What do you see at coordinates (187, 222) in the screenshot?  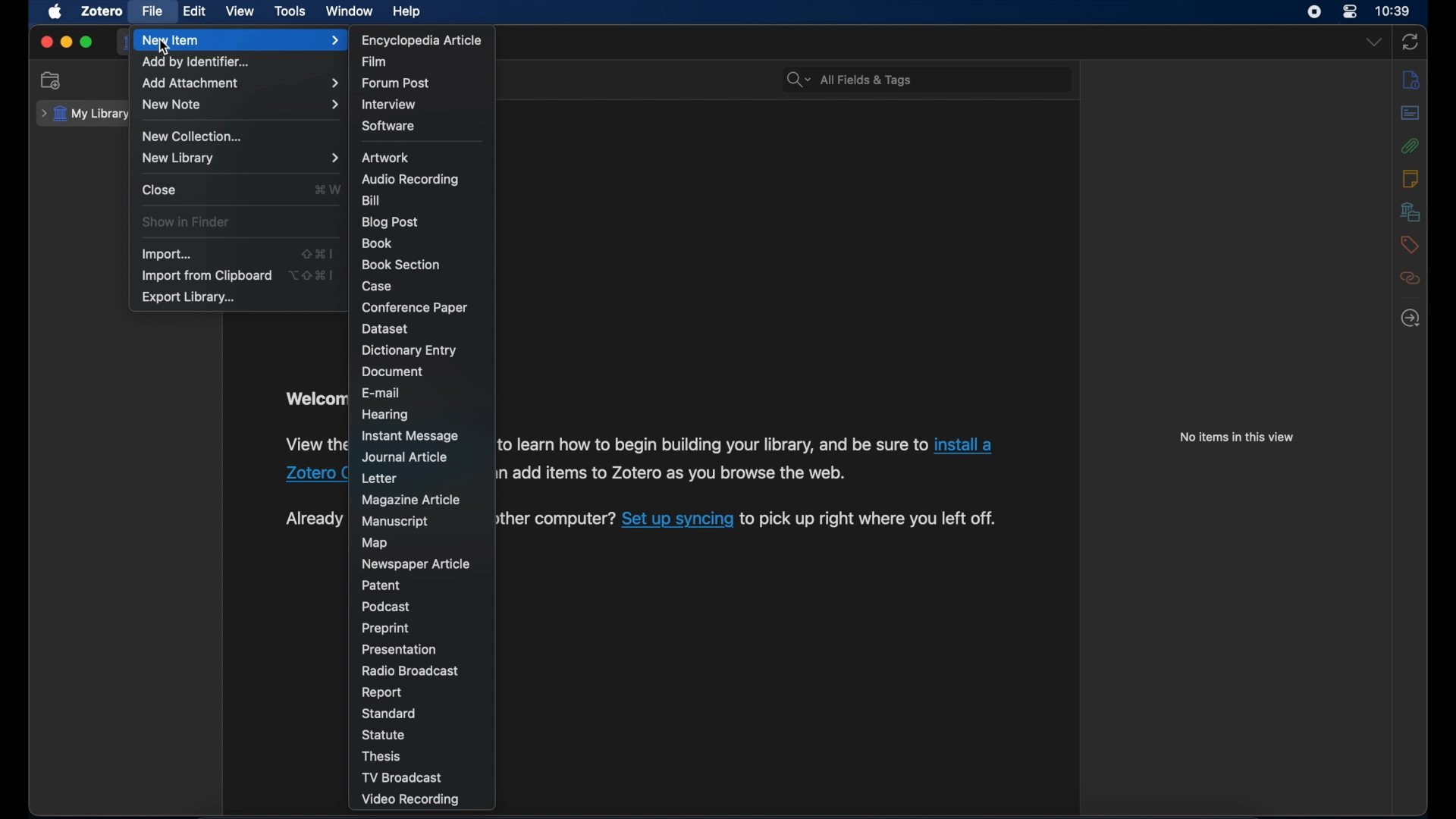 I see `show in finder` at bounding box center [187, 222].